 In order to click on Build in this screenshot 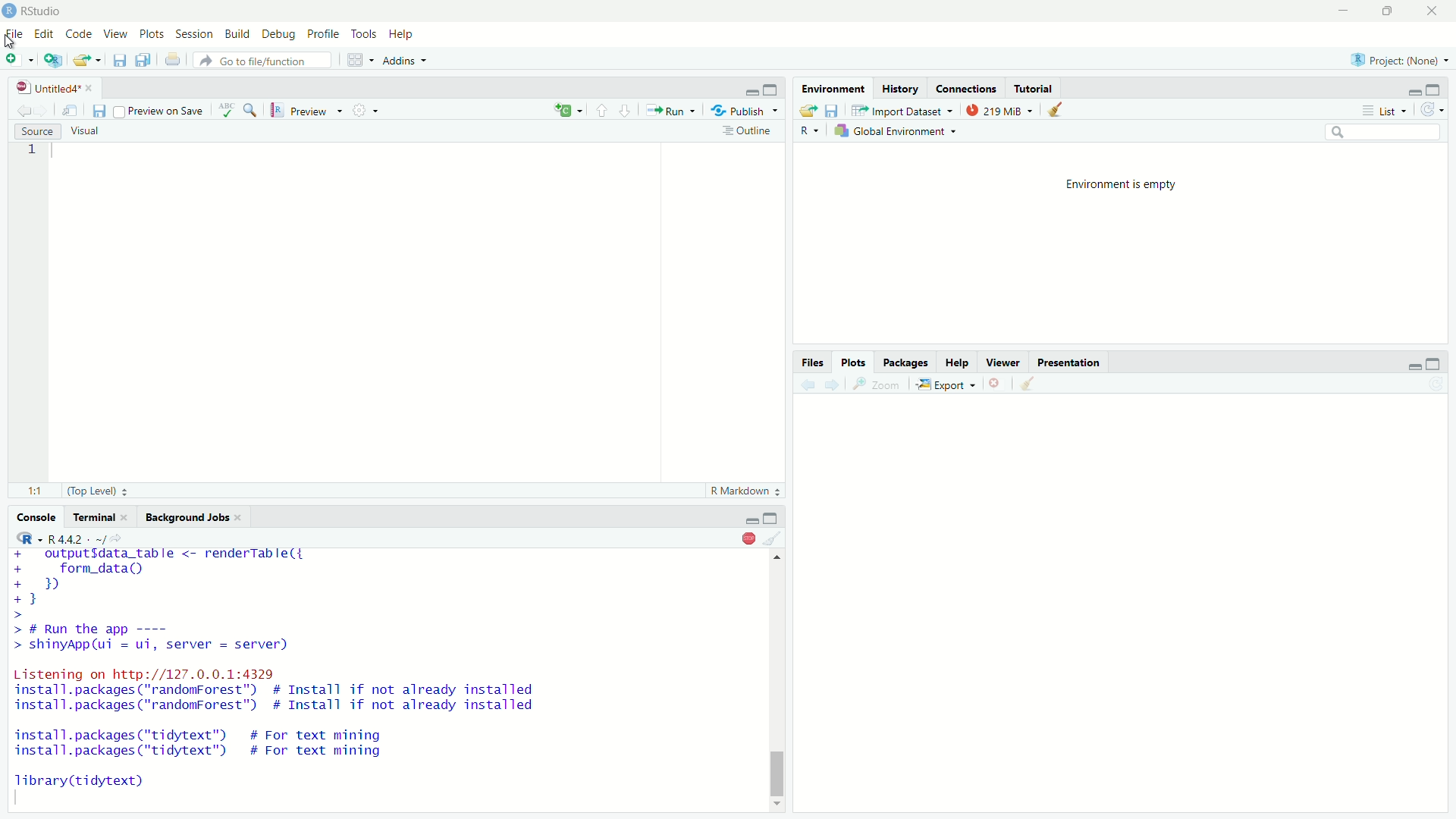, I will do `click(236, 34)`.